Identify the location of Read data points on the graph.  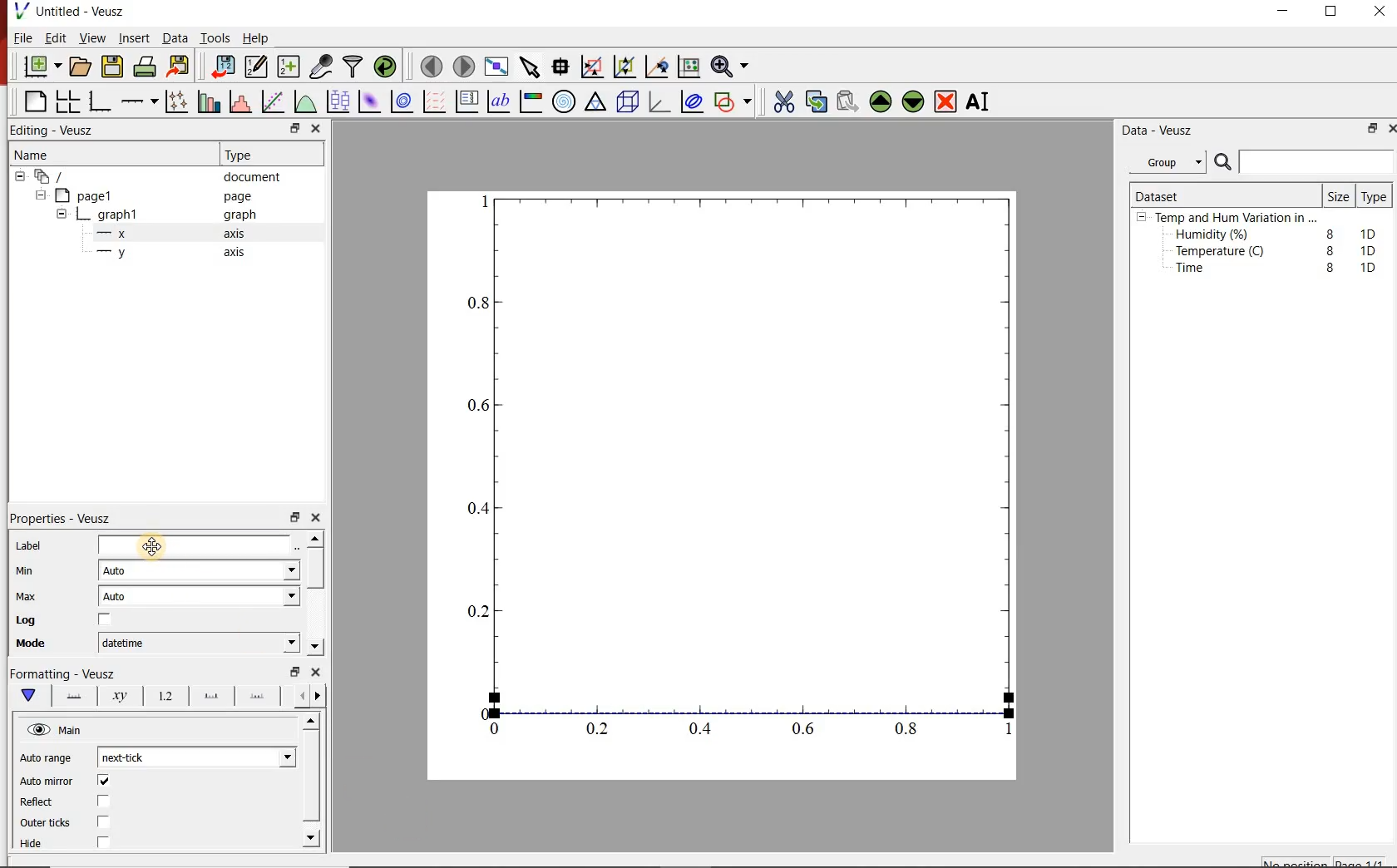
(562, 67).